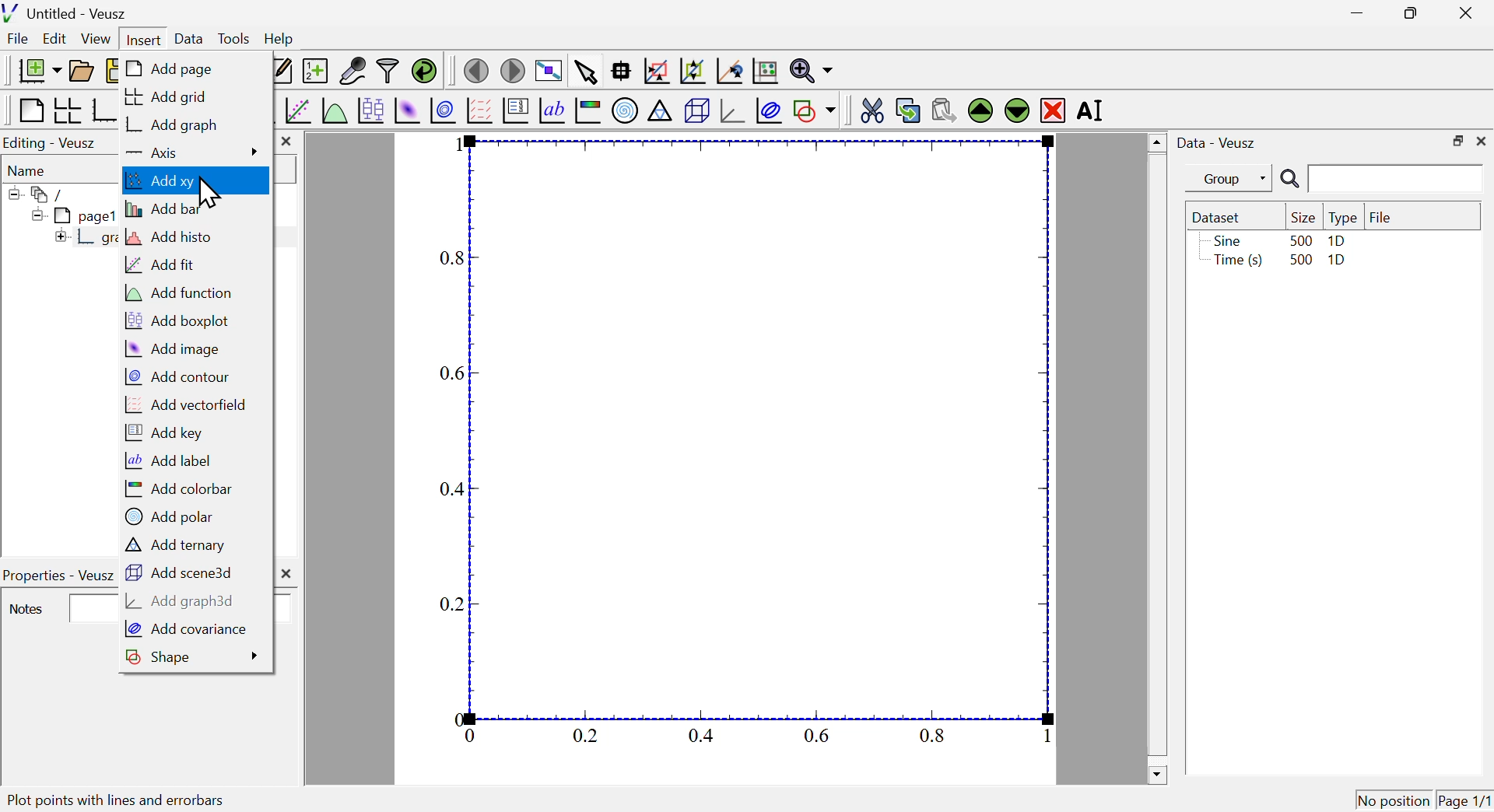  I want to click on size, so click(1301, 217).